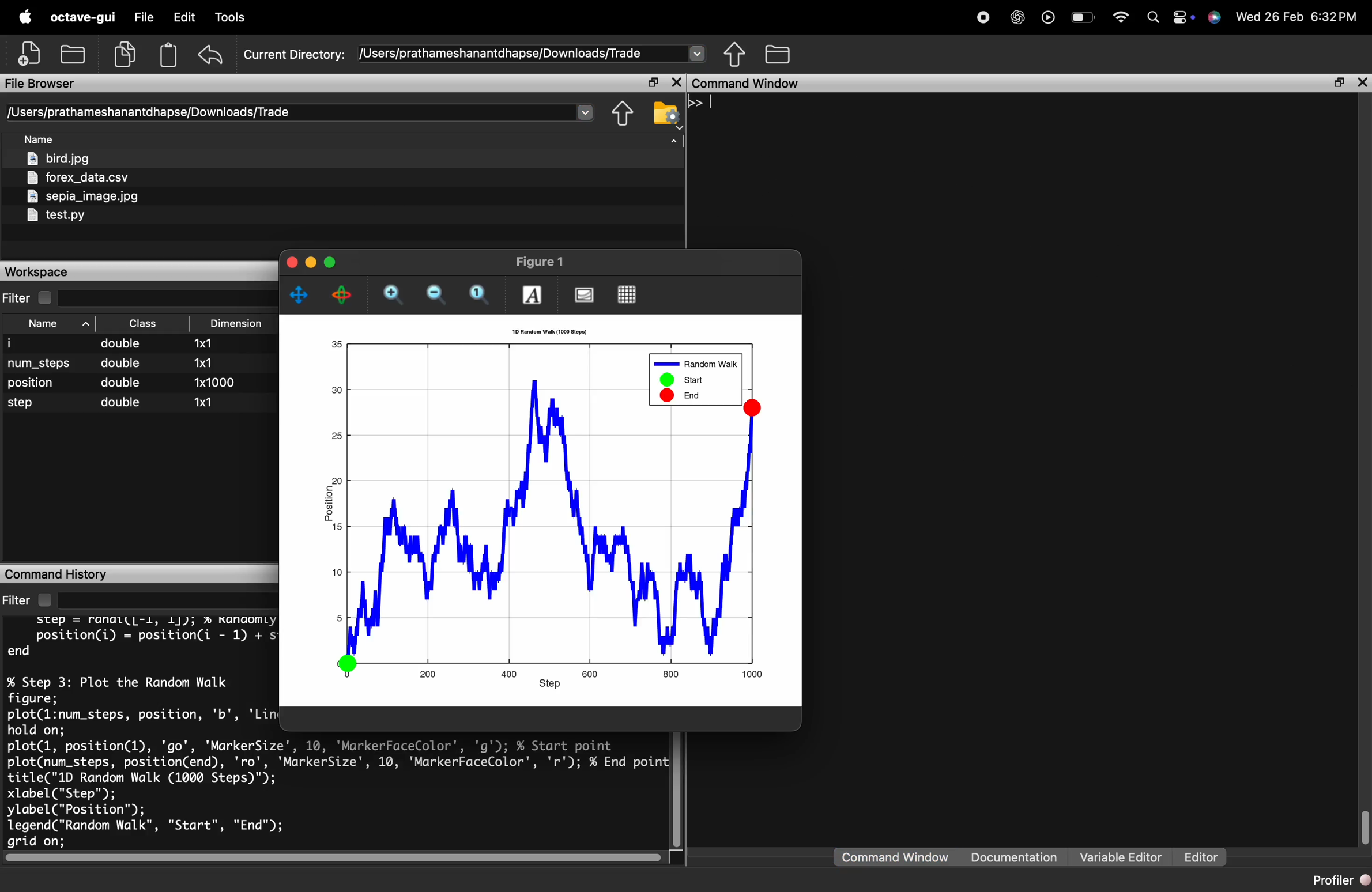 The width and height of the screenshot is (1372, 892). I want to click on wifi, so click(1121, 17).